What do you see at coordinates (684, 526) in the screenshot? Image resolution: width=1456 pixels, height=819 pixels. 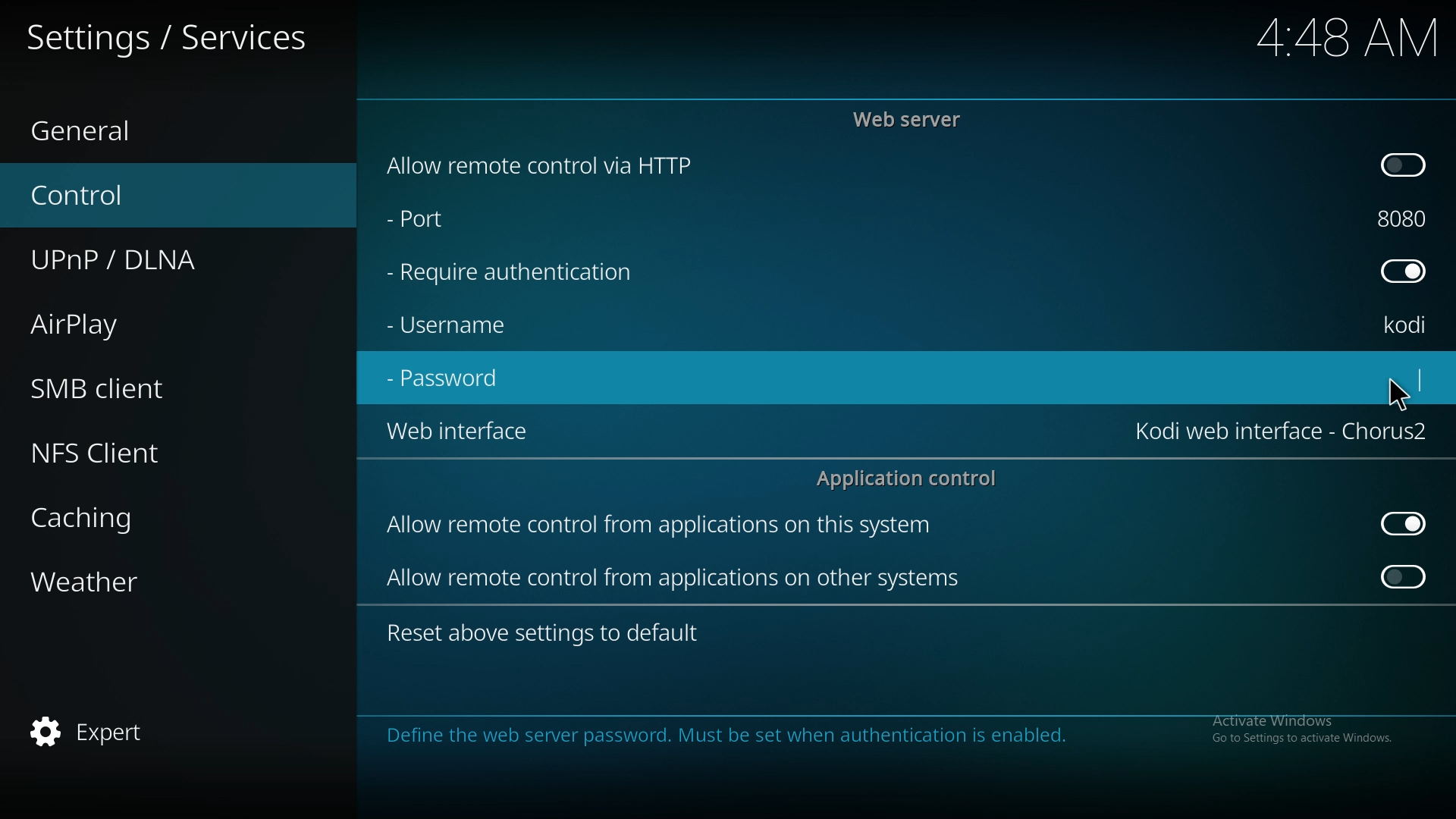 I see `allow remote control from apps on this system` at bounding box center [684, 526].